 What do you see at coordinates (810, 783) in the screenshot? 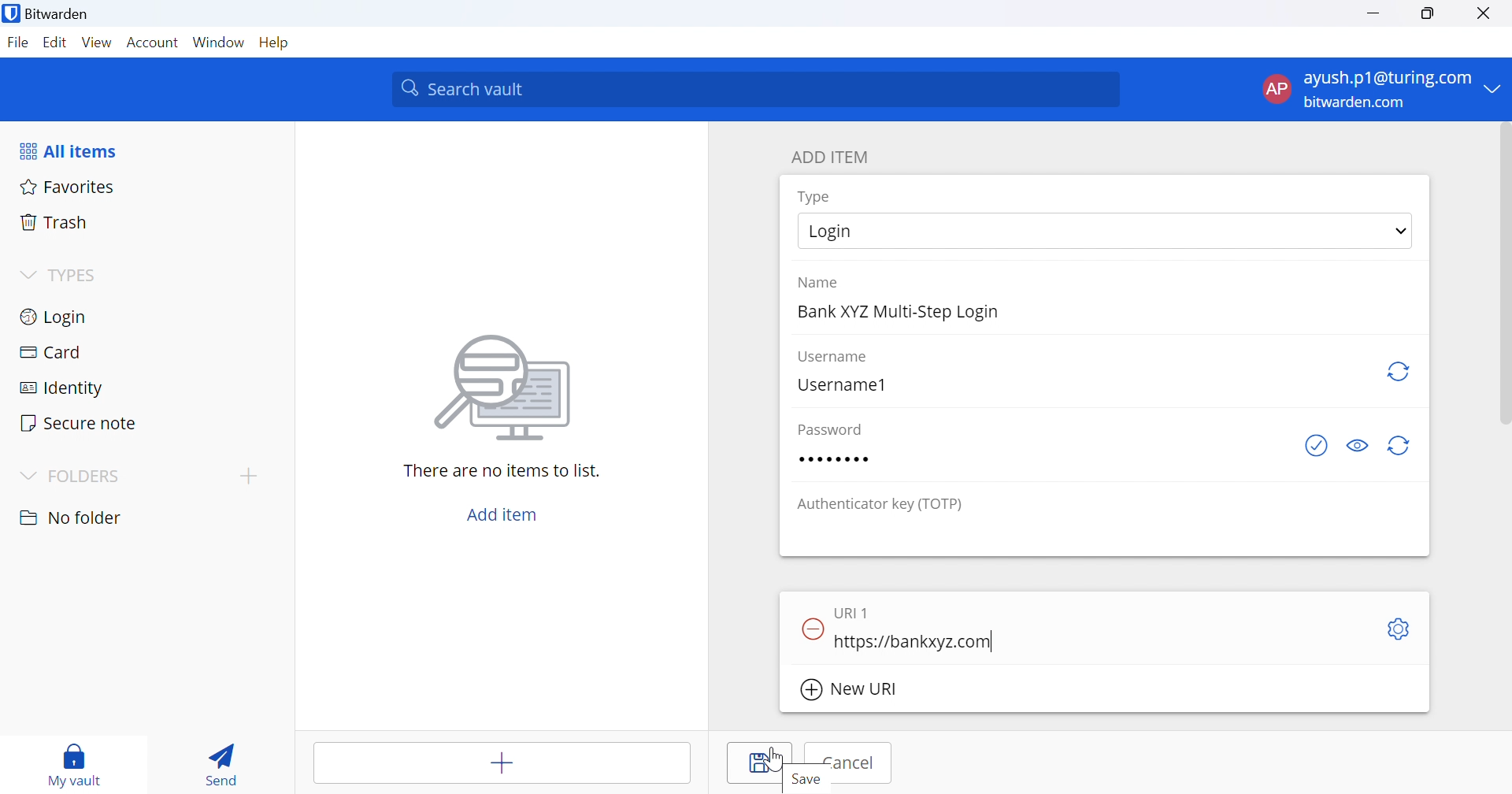
I see `Save` at bounding box center [810, 783].